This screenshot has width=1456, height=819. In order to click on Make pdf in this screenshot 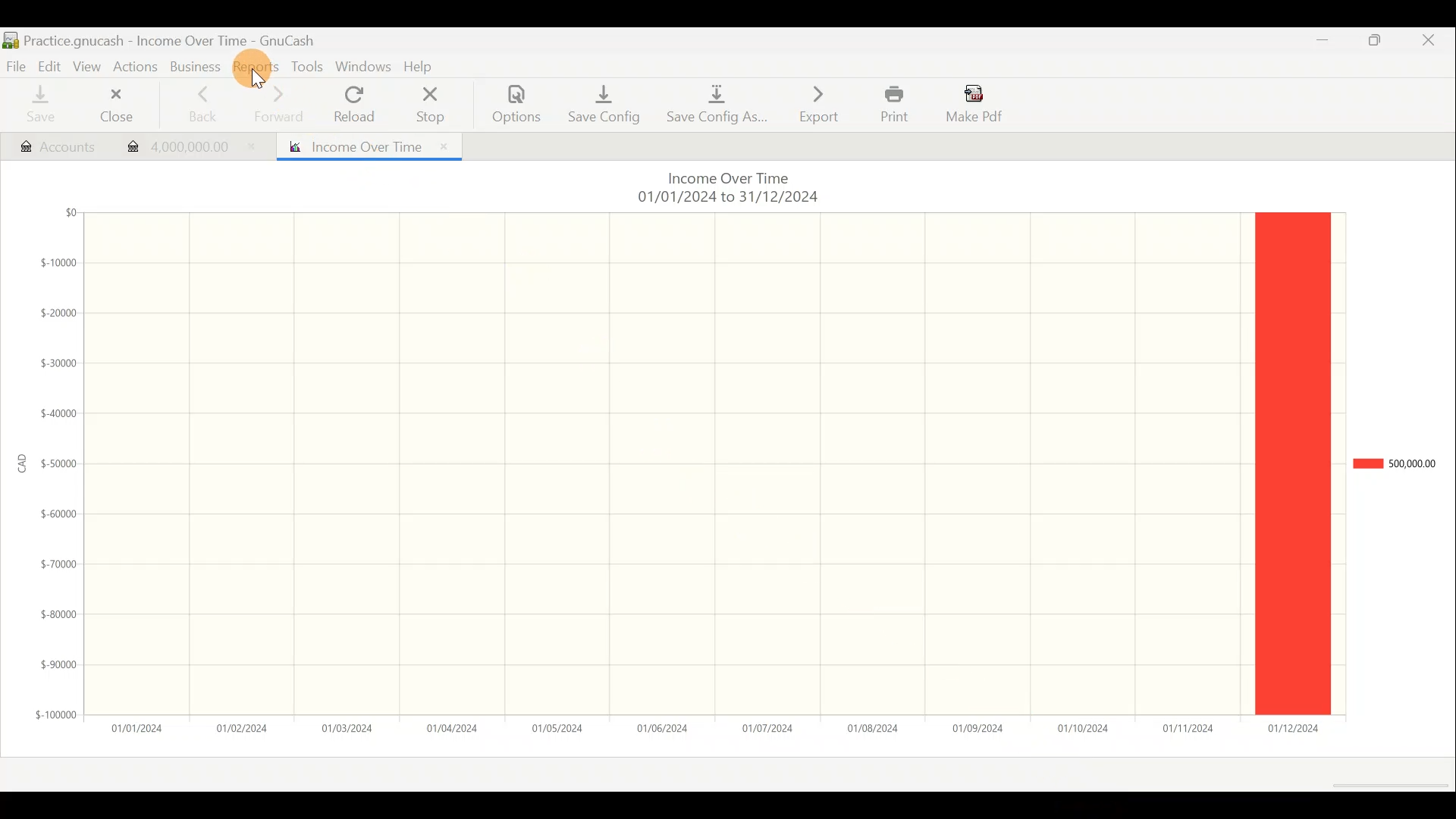, I will do `click(979, 106)`.